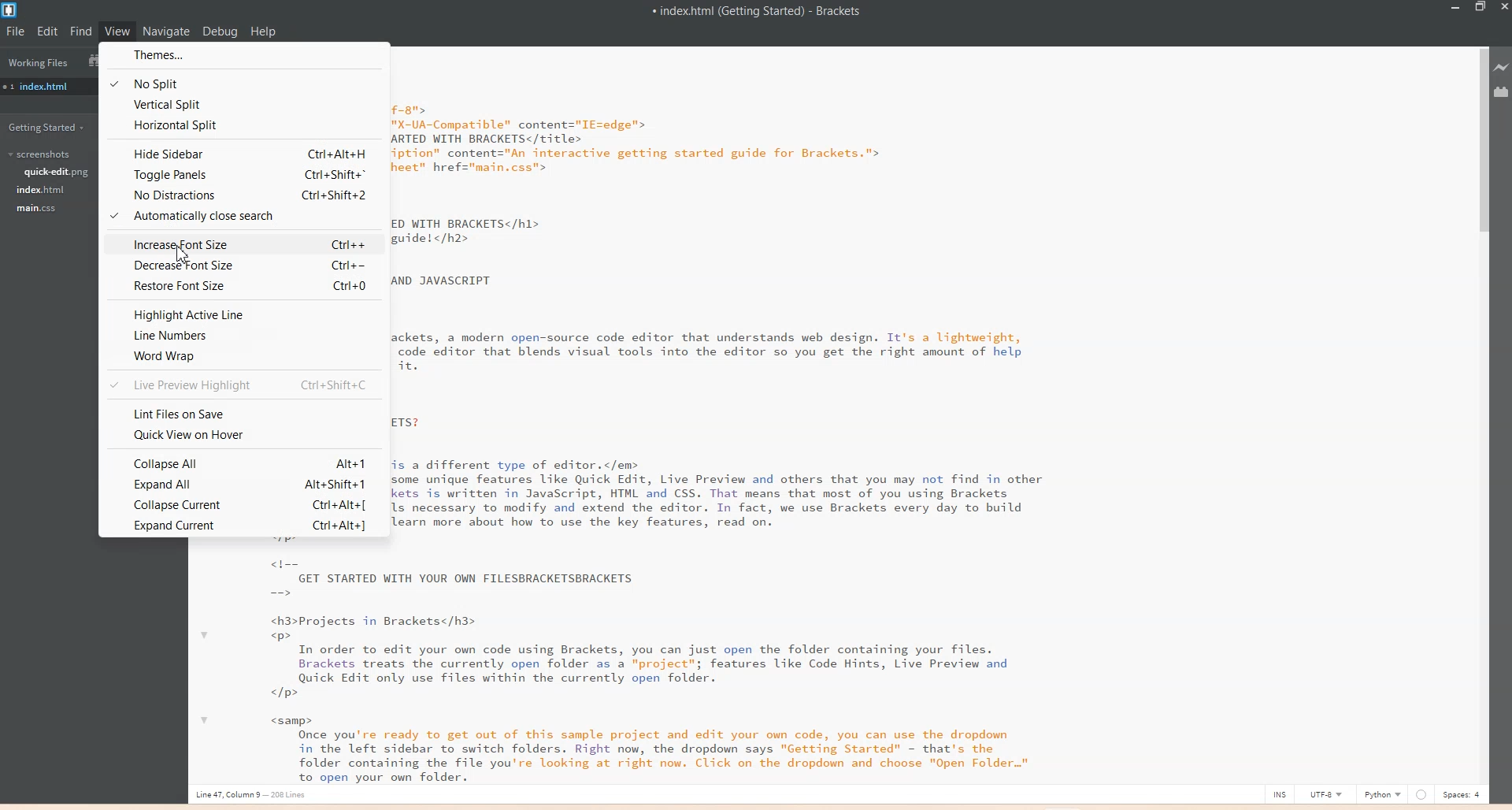 Image resolution: width=1512 pixels, height=810 pixels. Describe the element at coordinates (278, 658) in the screenshot. I see `text` at that location.